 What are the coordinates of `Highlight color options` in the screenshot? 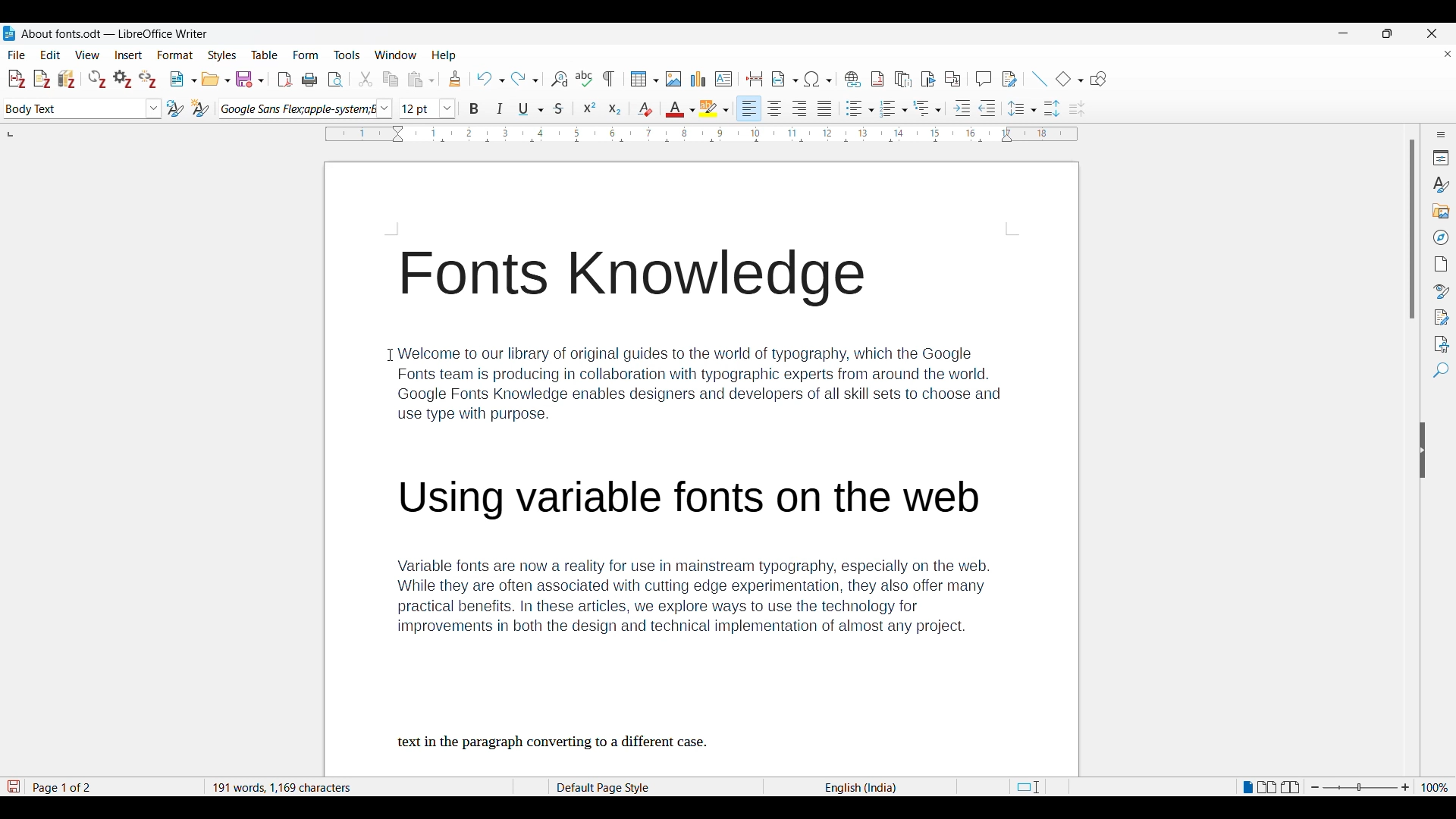 It's located at (714, 108).